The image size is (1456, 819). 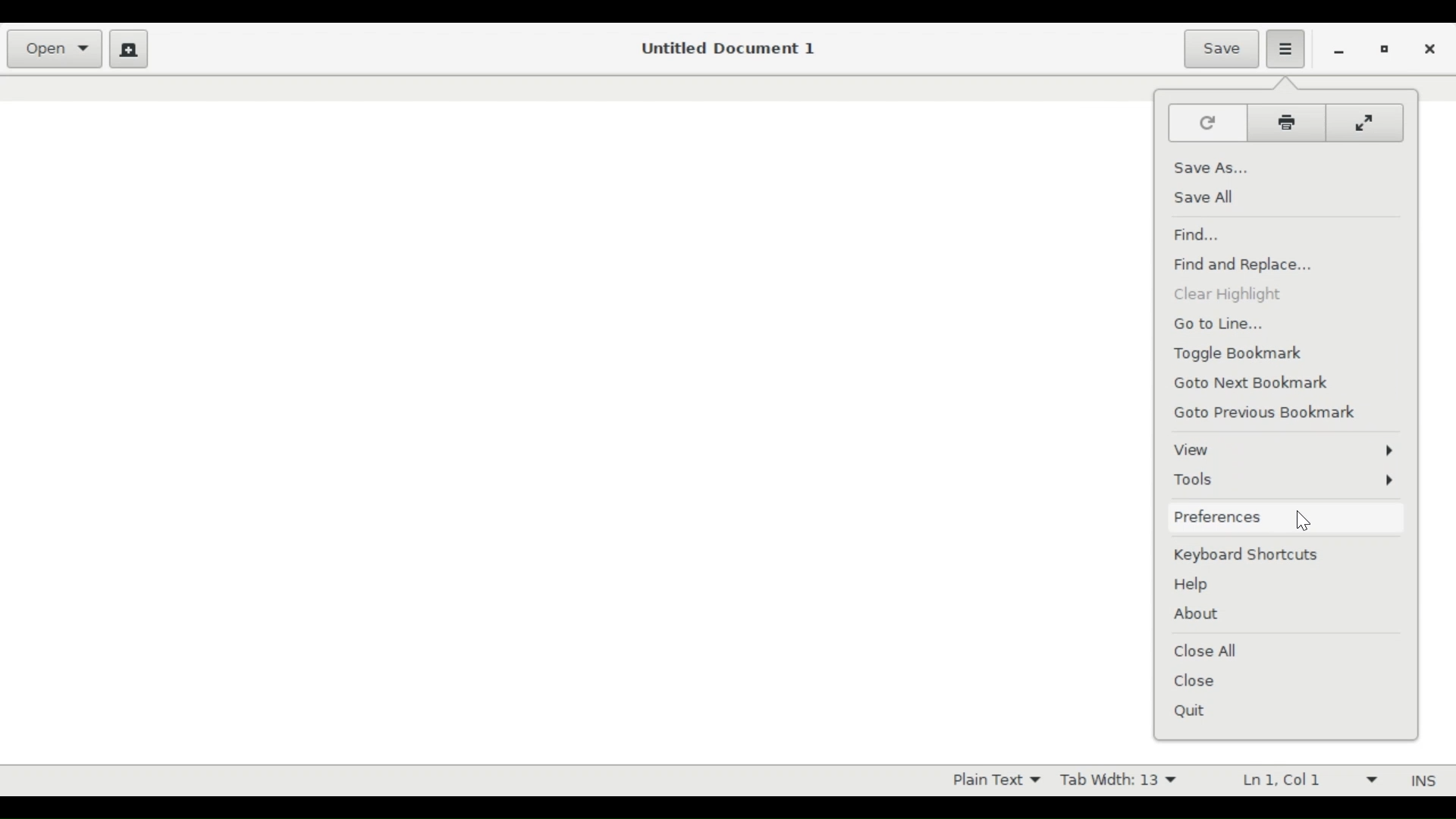 What do you see at coordinates (1228, 294) in the screenshot?
I see `Clear Highlight` at bounding box center [1228, 294].